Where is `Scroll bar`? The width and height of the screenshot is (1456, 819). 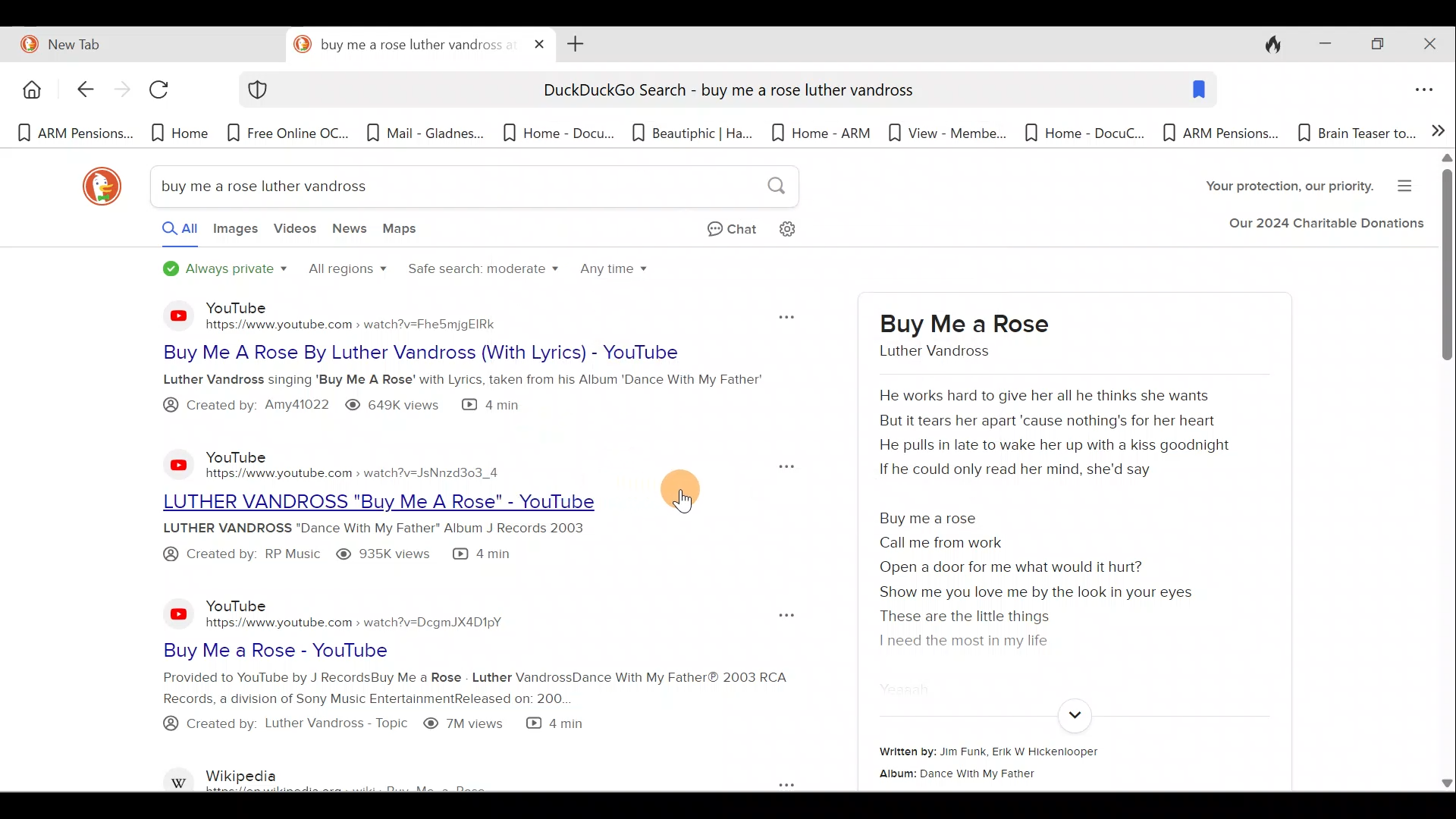
Scroll bar is located at coordinates (1445, 473).